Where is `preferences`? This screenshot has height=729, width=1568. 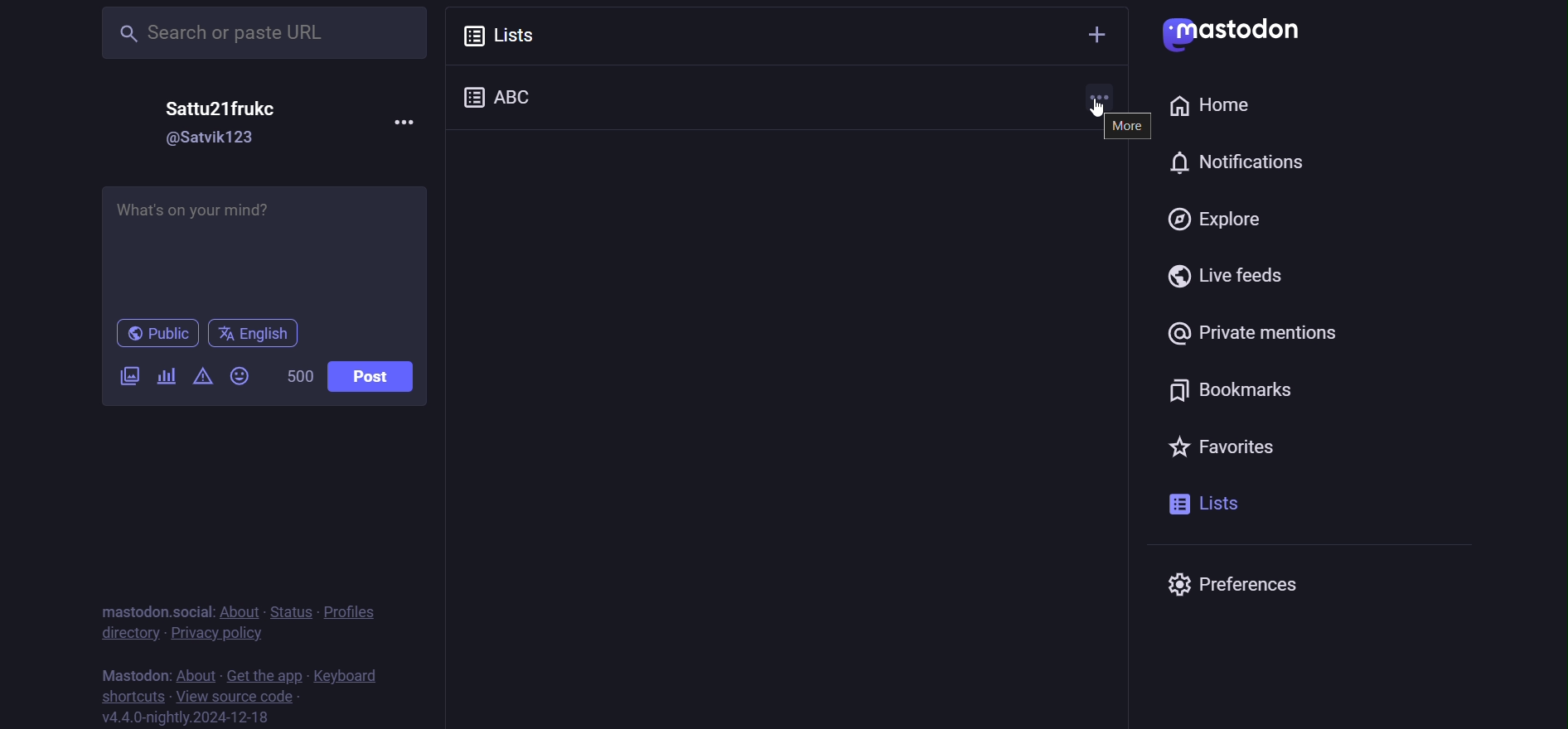 preferences is located at coordinates (1248, 585).